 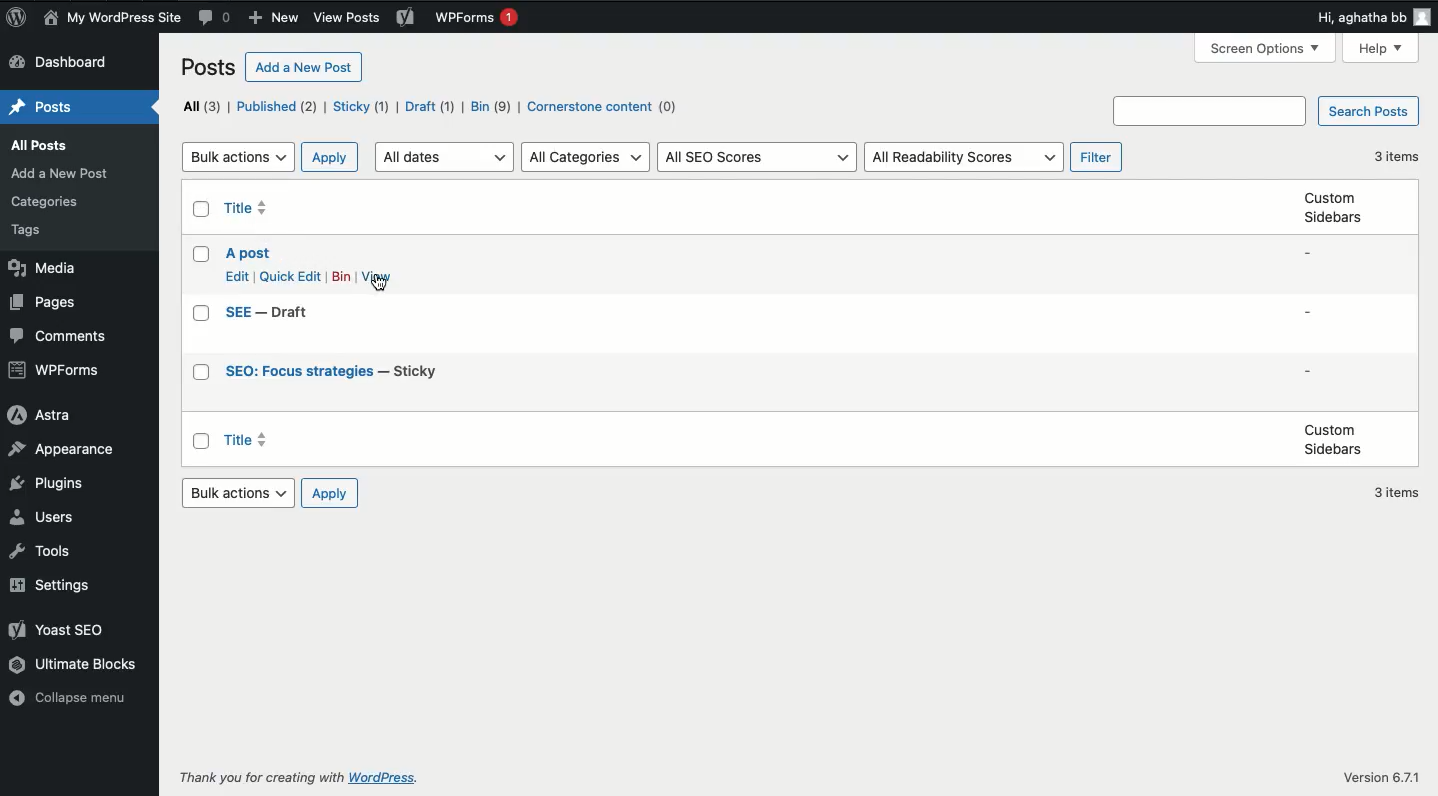 I want to click on Comment, so click(x=212, y=18).